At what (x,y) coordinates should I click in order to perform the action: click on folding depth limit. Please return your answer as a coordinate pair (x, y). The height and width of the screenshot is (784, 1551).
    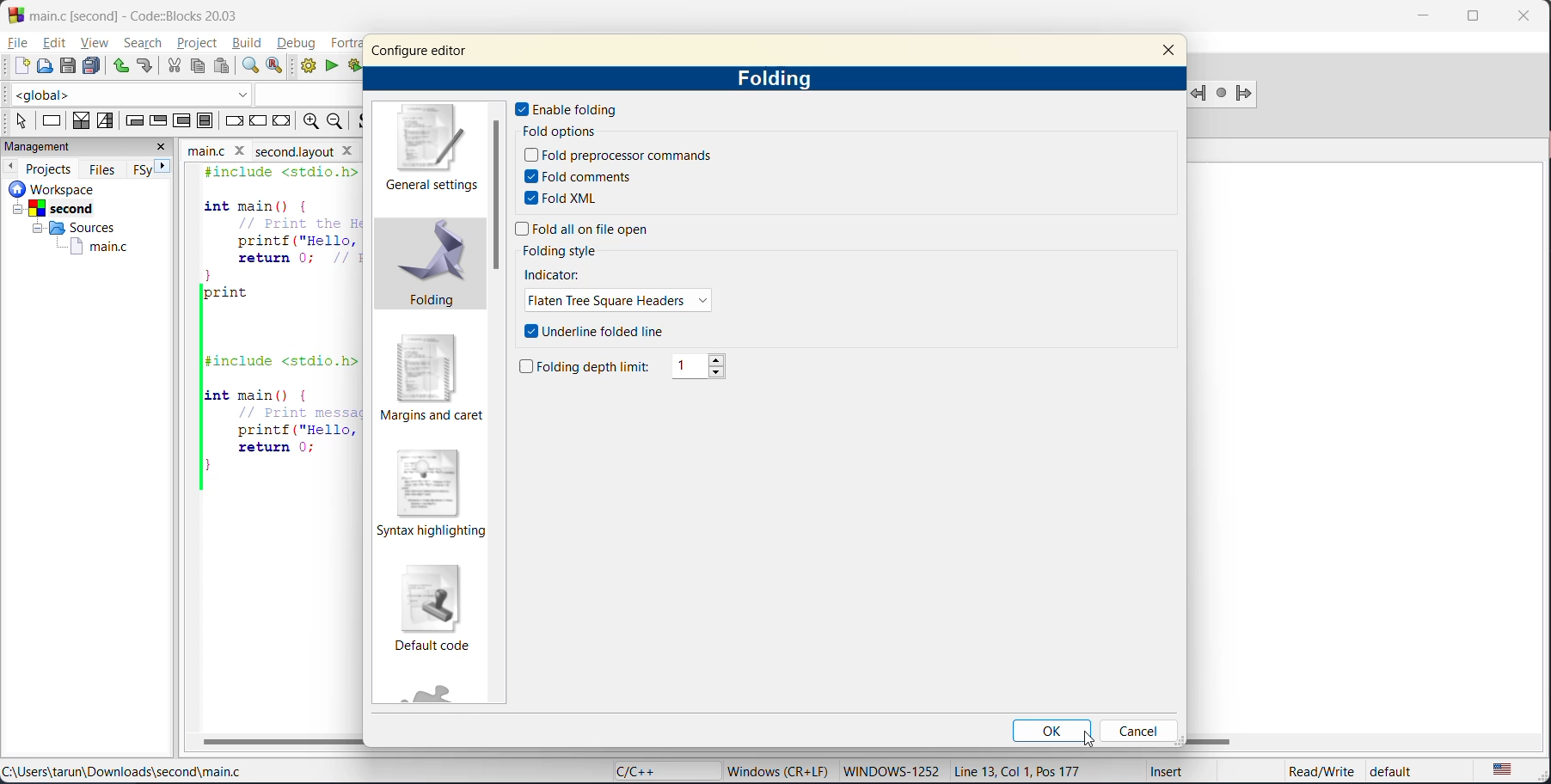
    Looking at the image, I should click on (586, 368).